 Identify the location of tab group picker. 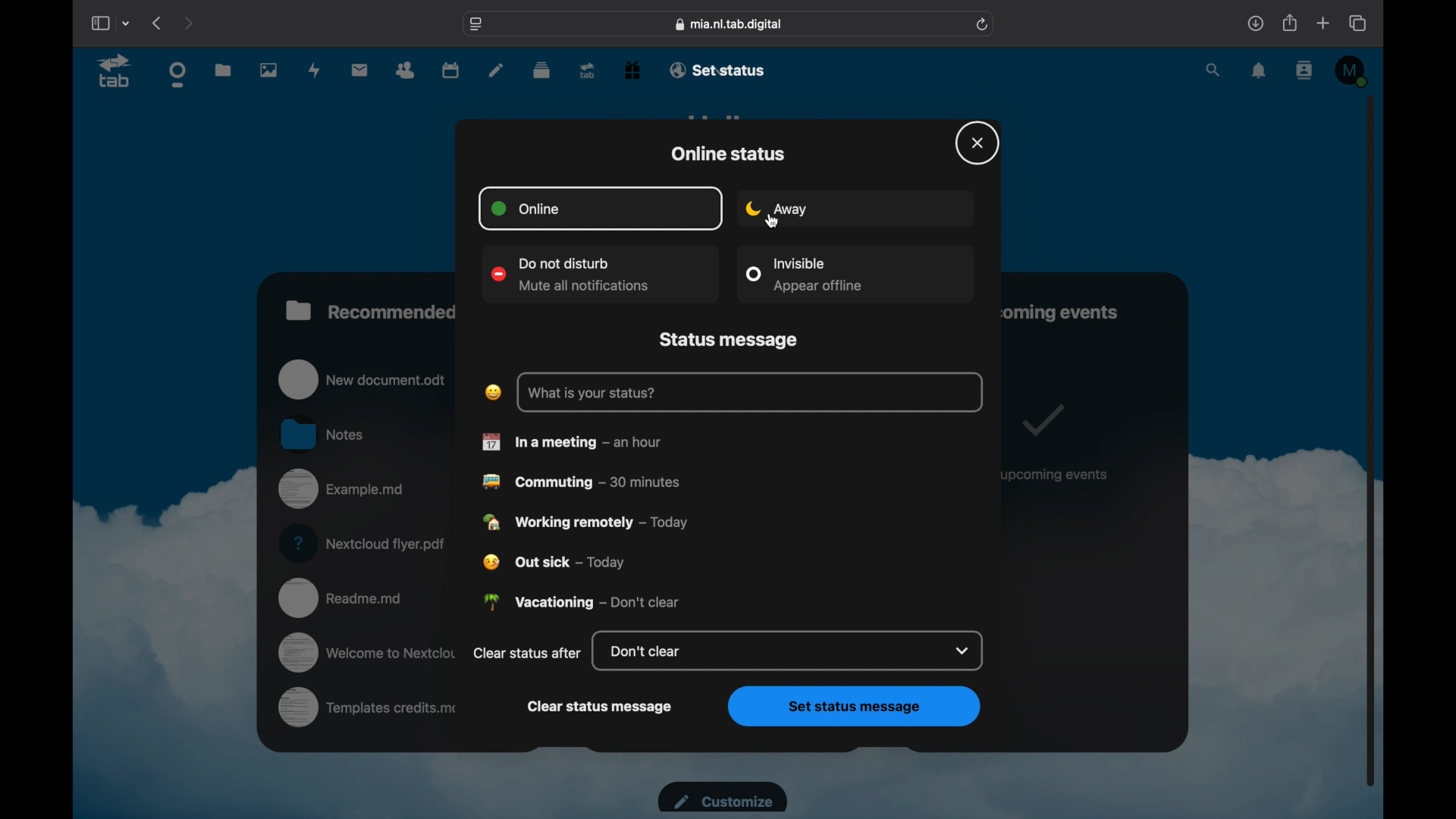
(127, 23).